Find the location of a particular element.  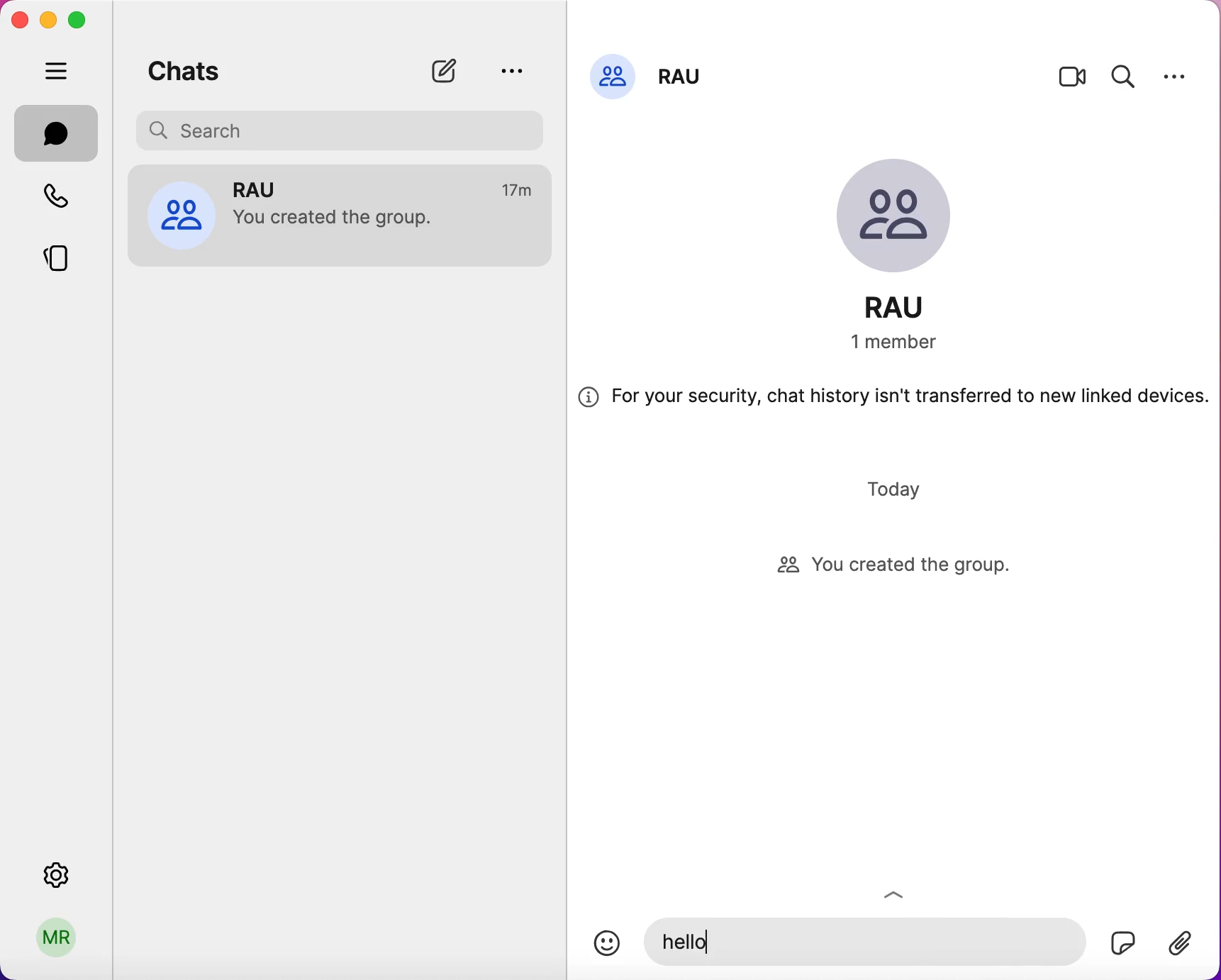

hello is located at coordinates (688, 944).